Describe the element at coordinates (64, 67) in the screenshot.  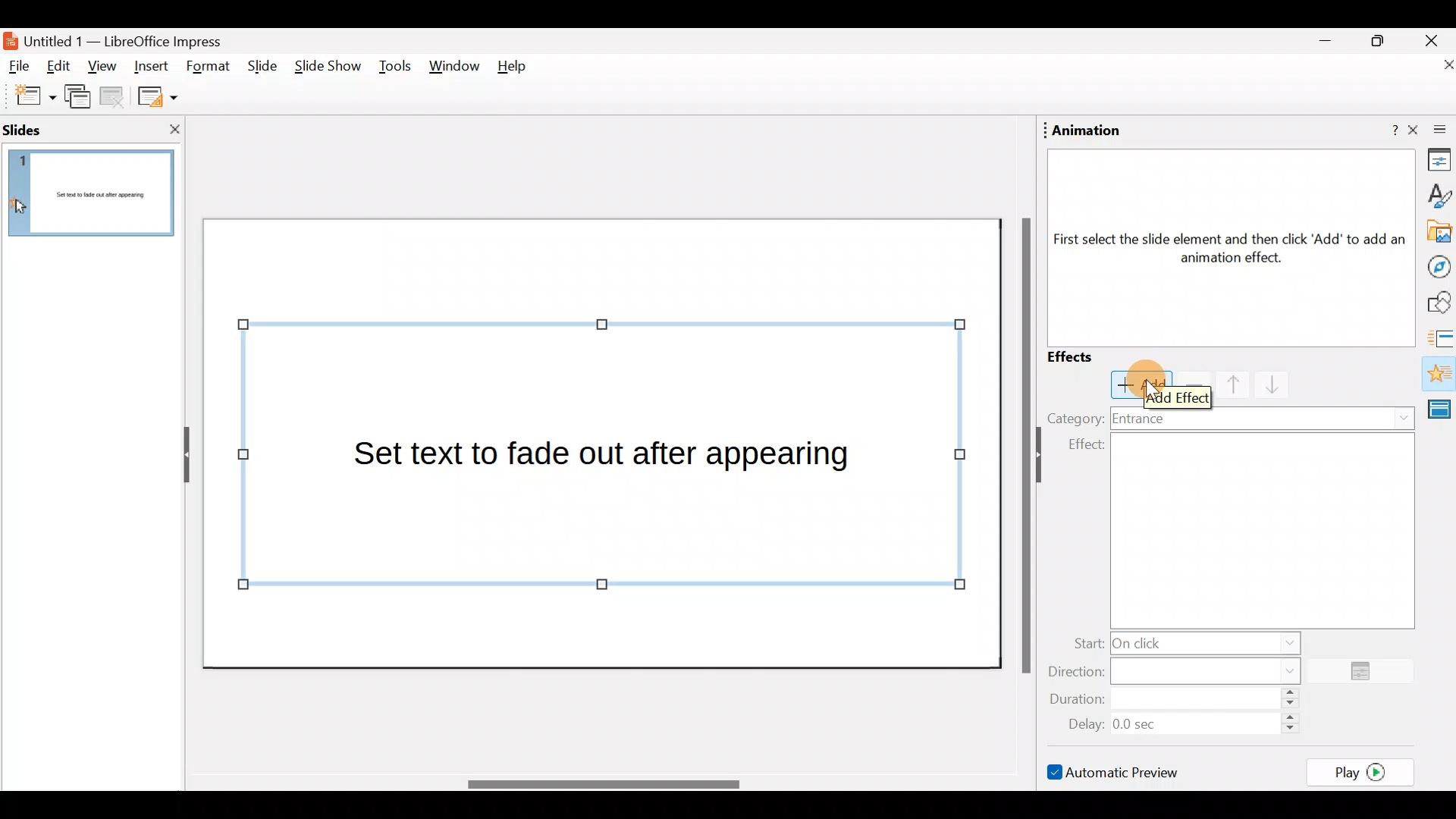
I see `Edit` at that location.